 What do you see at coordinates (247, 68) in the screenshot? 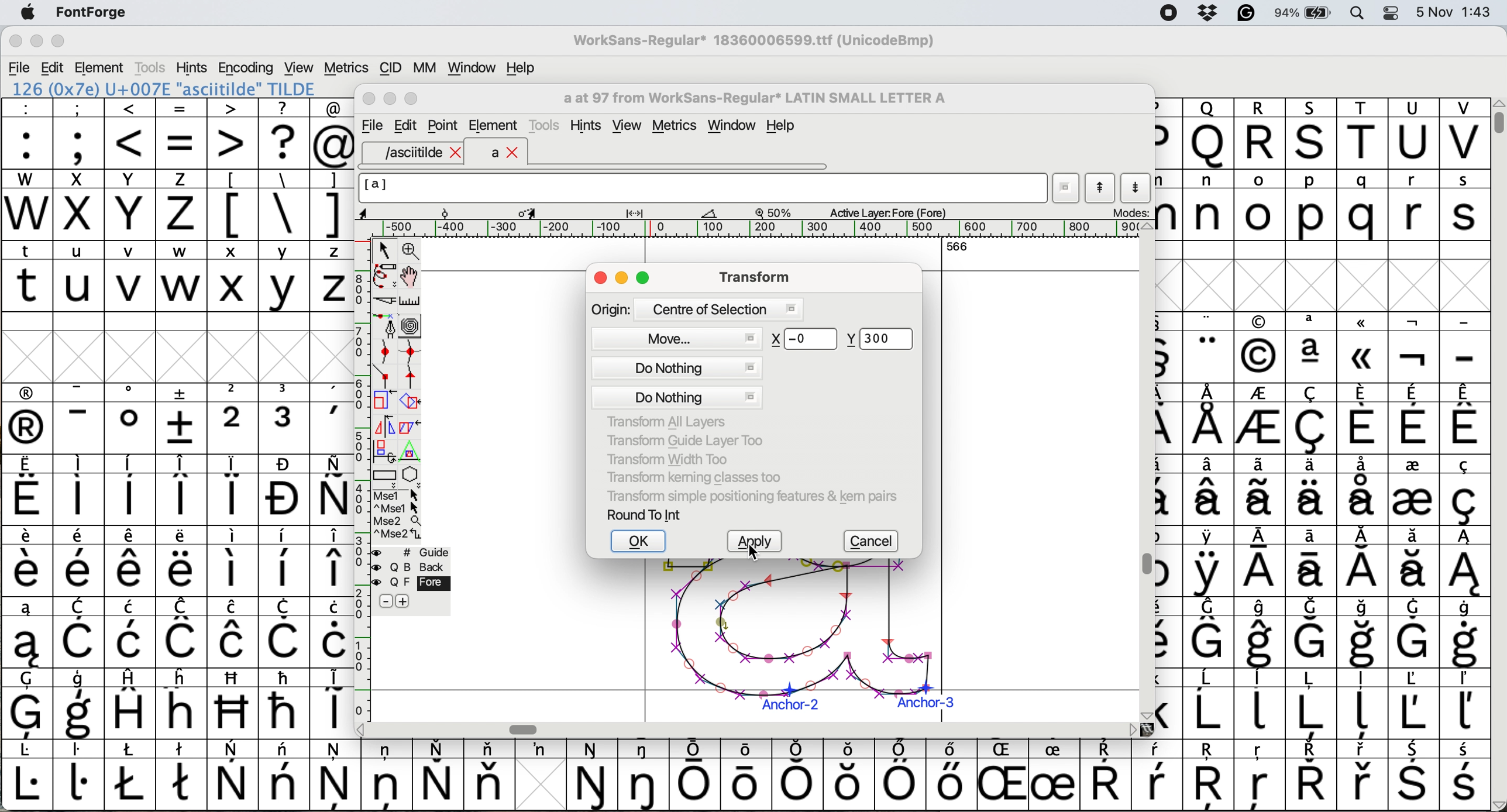
I see `encoding` at bounding box center [247, 68].